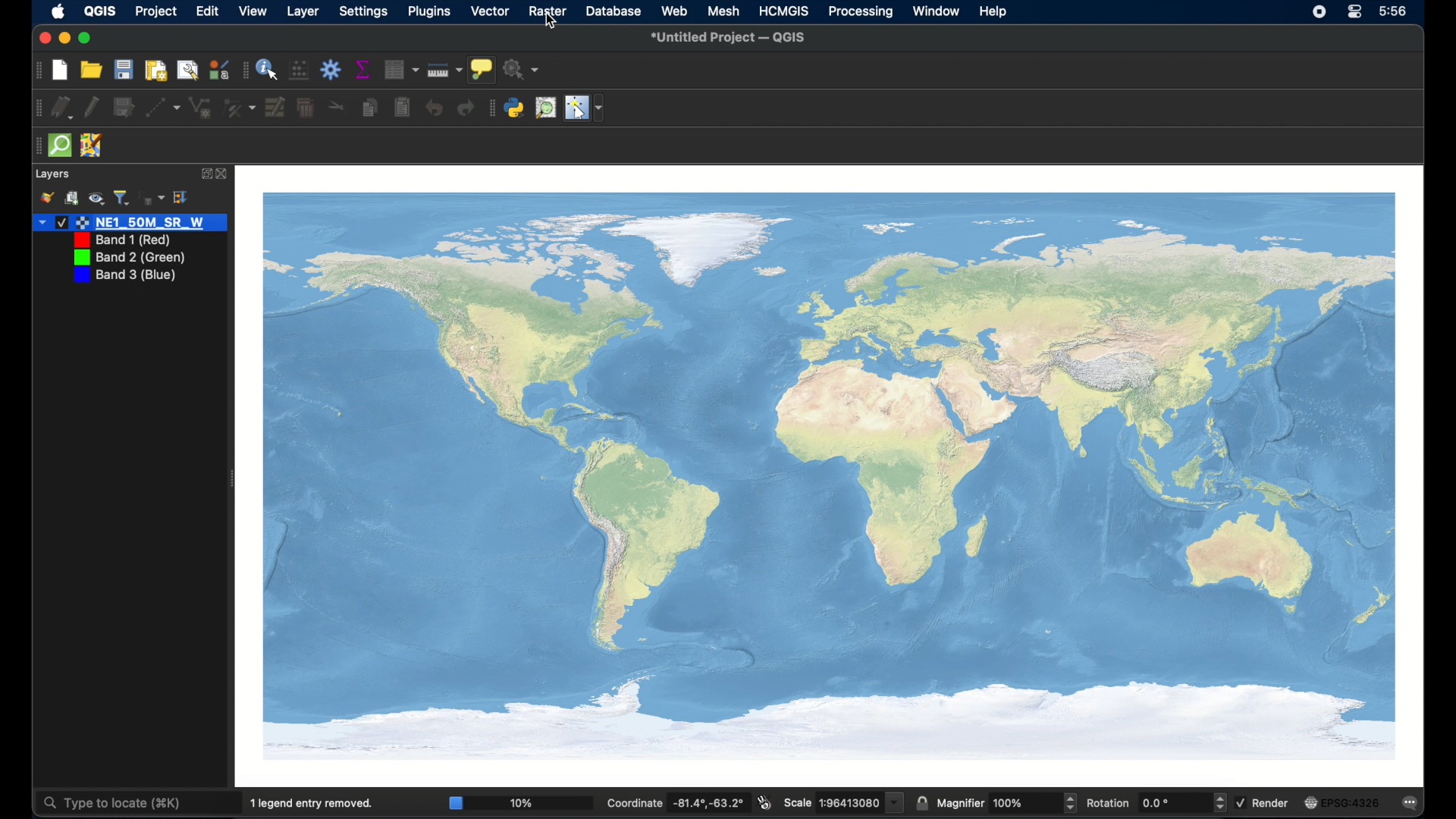 The height and width of the screenshot is (819, 1456). I want to click on measure line, so click(444, 70).